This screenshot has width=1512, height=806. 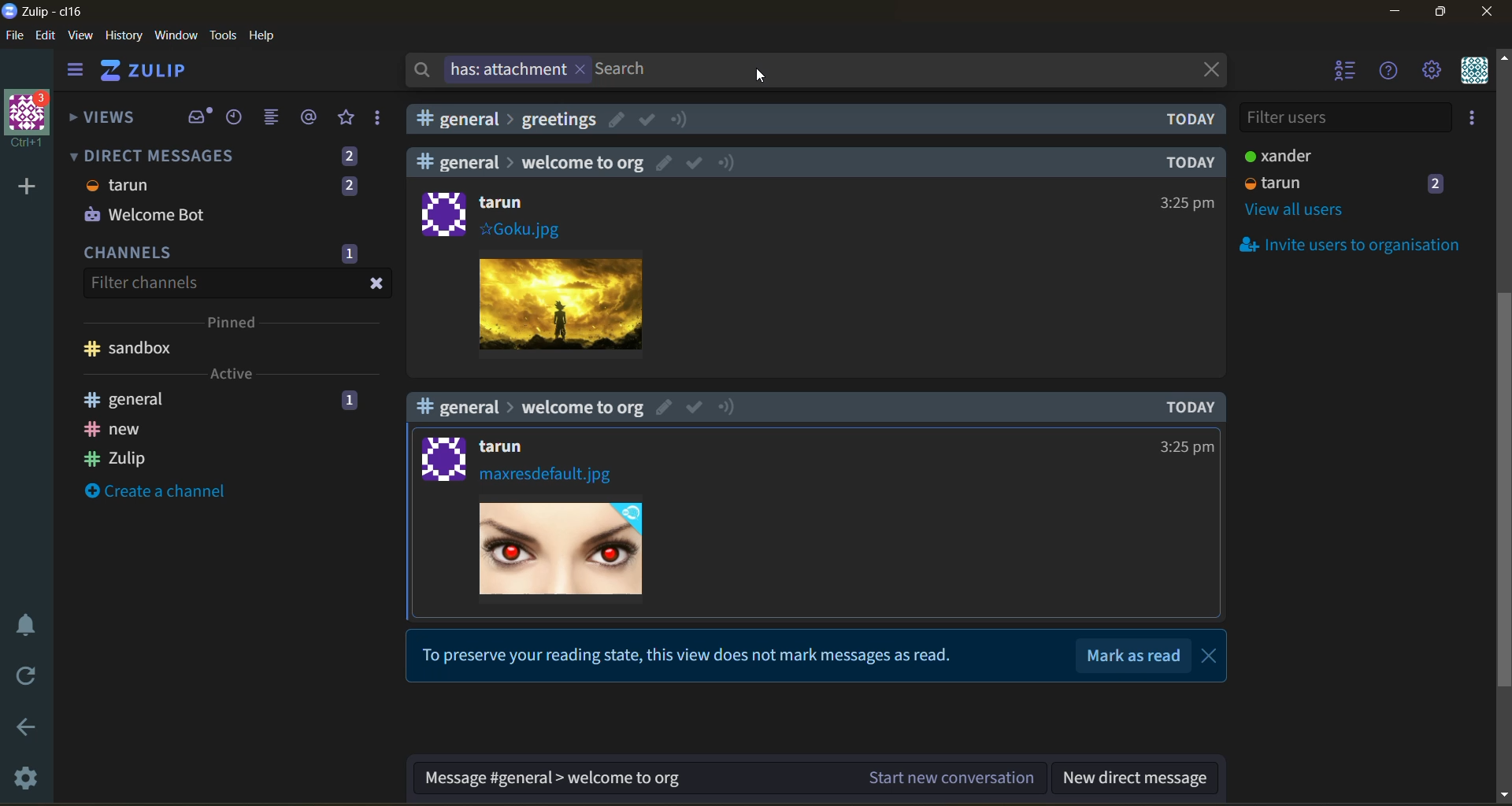 I want to click on create a channel, so click(x=156, y=490).